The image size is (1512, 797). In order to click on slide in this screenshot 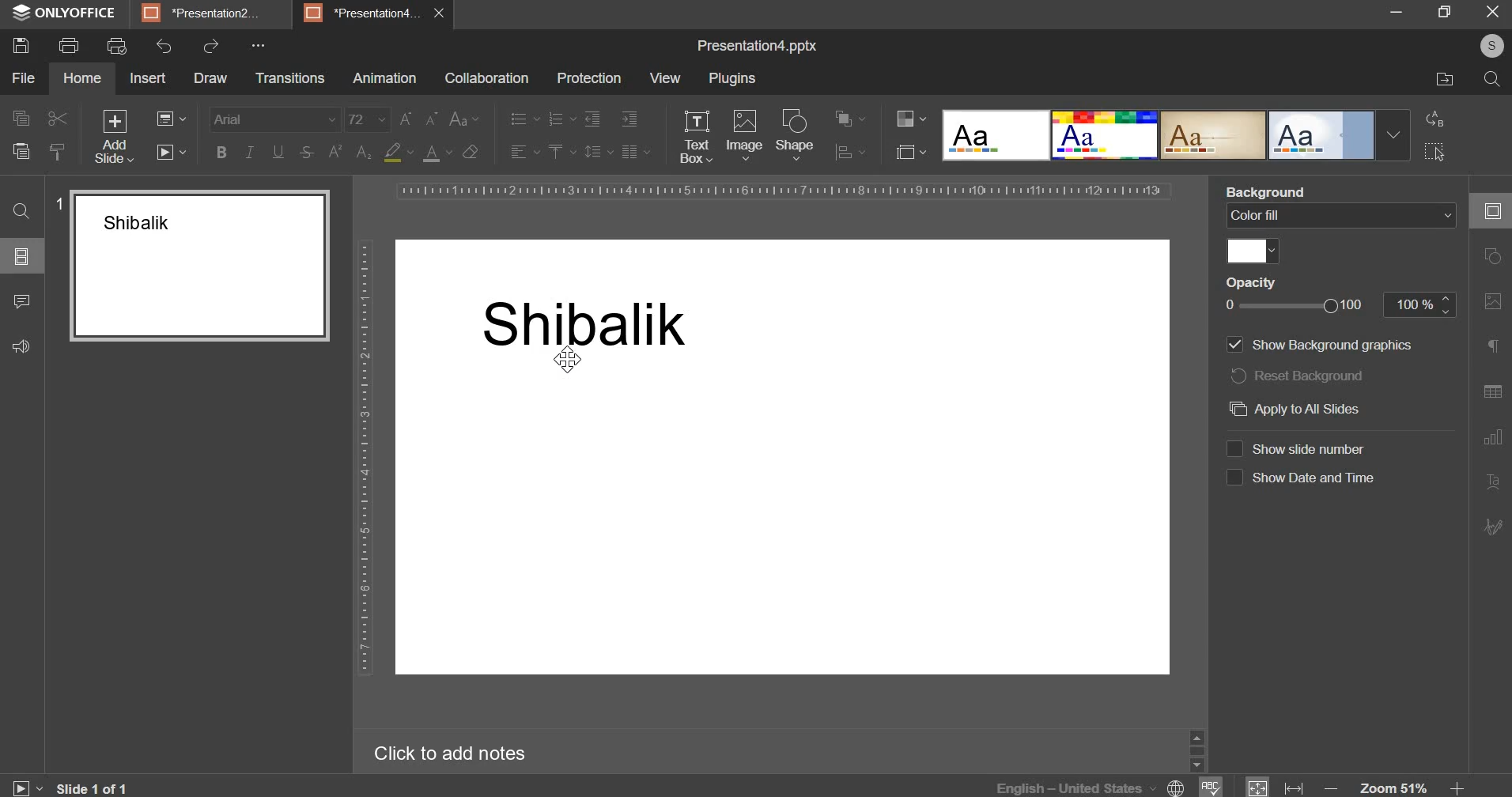, I will do `click(1490, 213)`.